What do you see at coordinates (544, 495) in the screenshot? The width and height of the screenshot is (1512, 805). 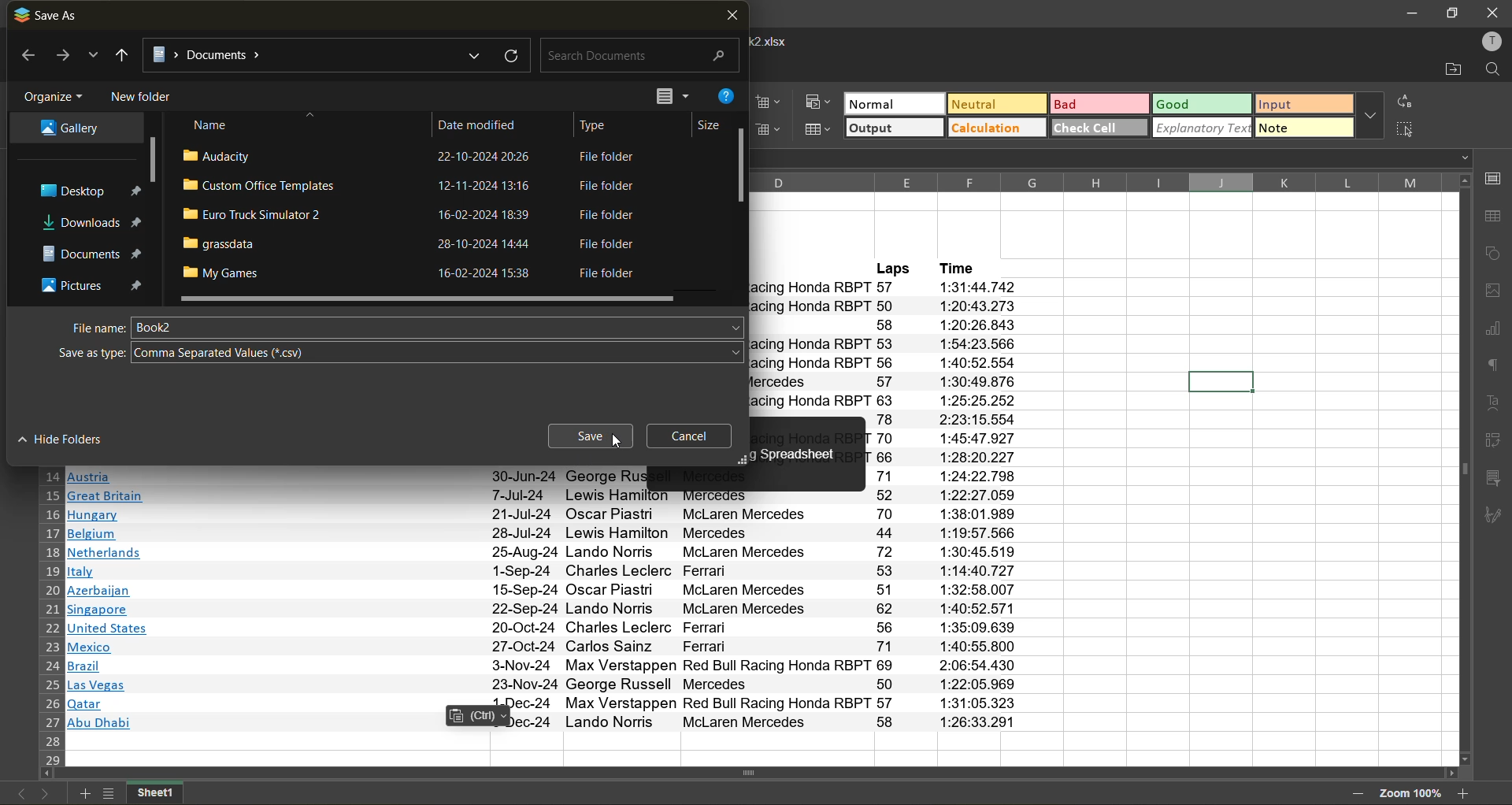 I see `text info` at bounding box center [544, 495].